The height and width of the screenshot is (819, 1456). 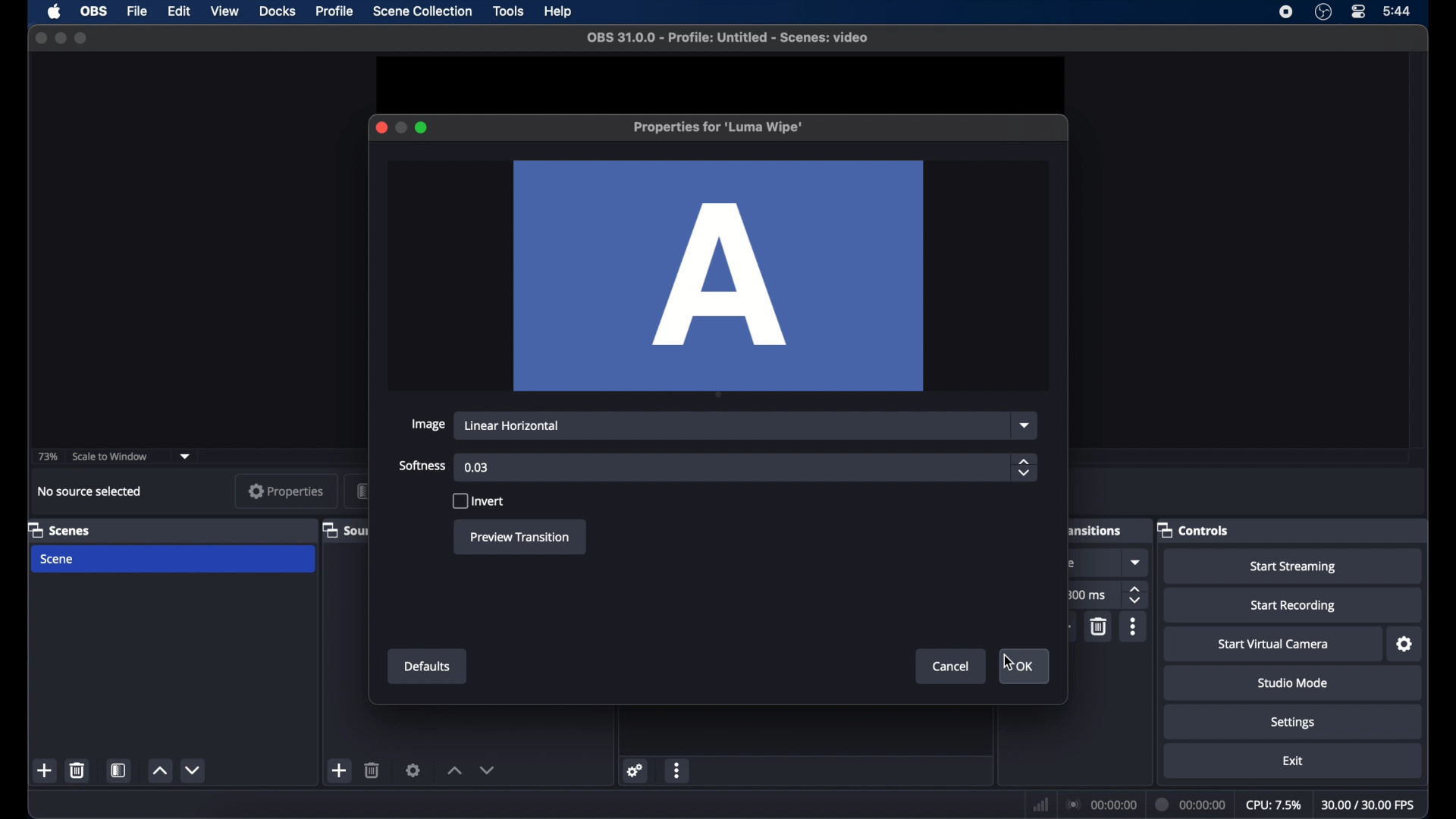 I want to click on no source selected, so click(x=89, y=491).